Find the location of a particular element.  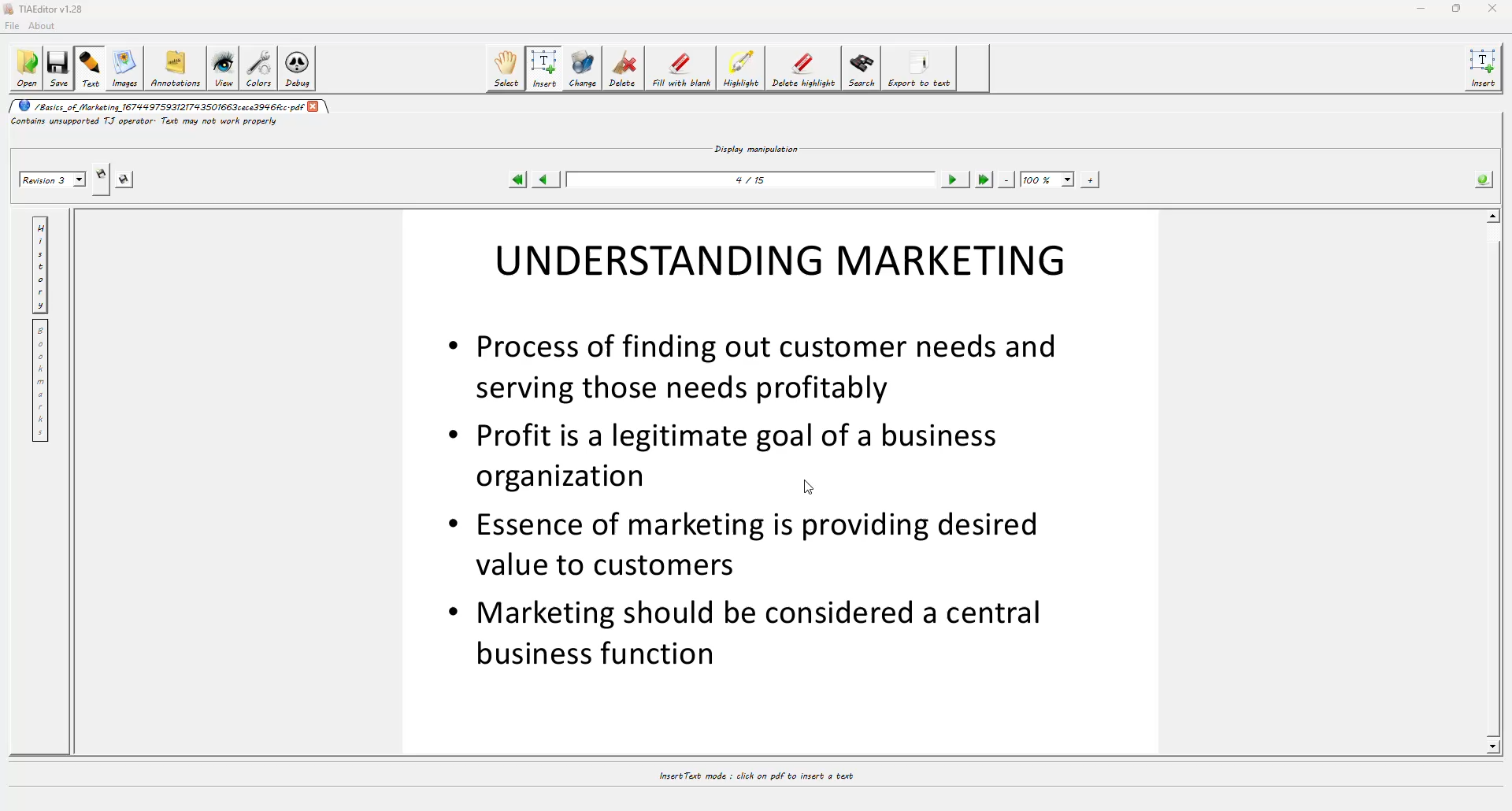

export to text is located at coordinates (922, 69).